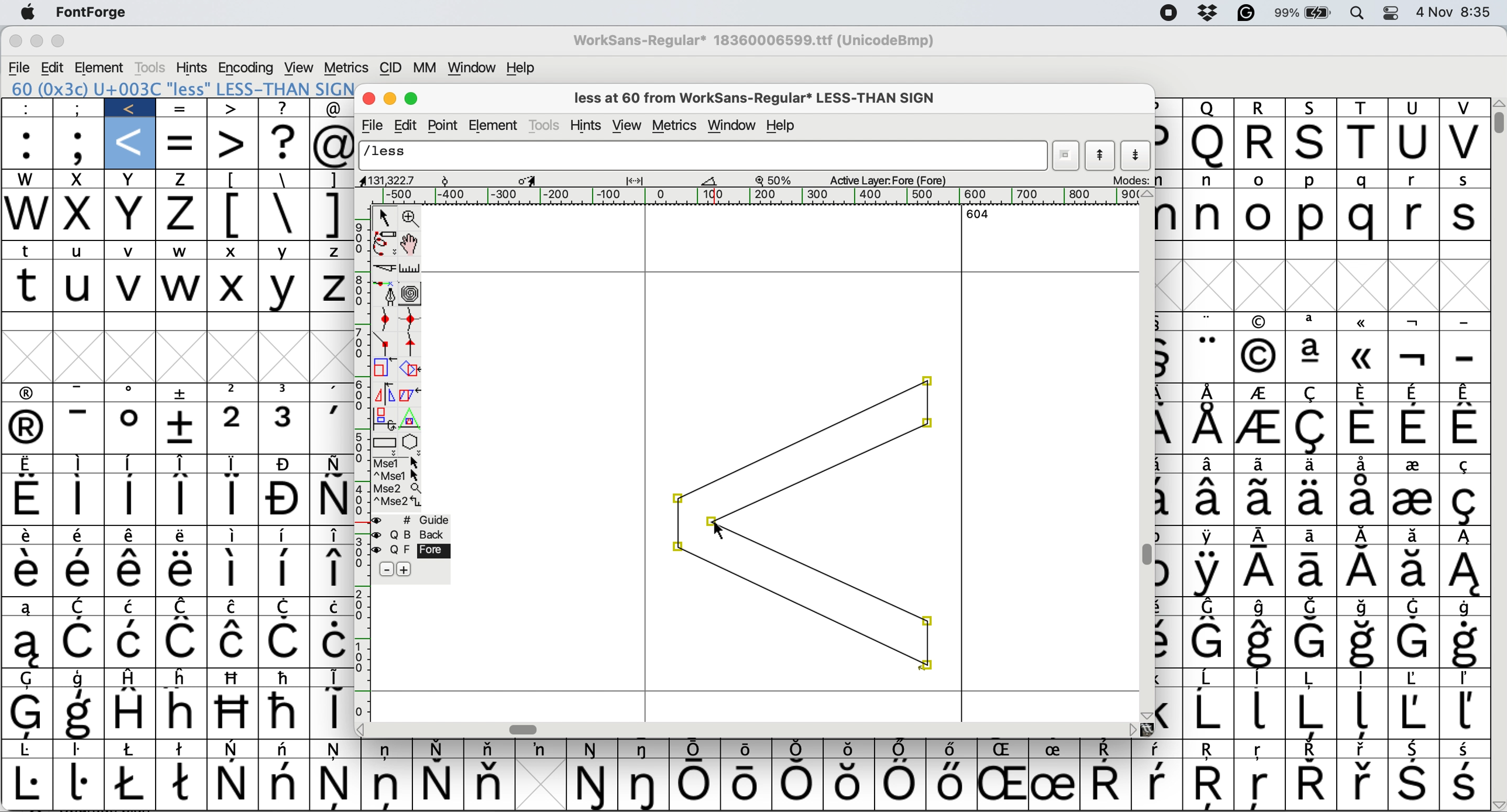  Describe the element at coordinates (1465, 500) in the screenshot. I see `Symbol` at that location.